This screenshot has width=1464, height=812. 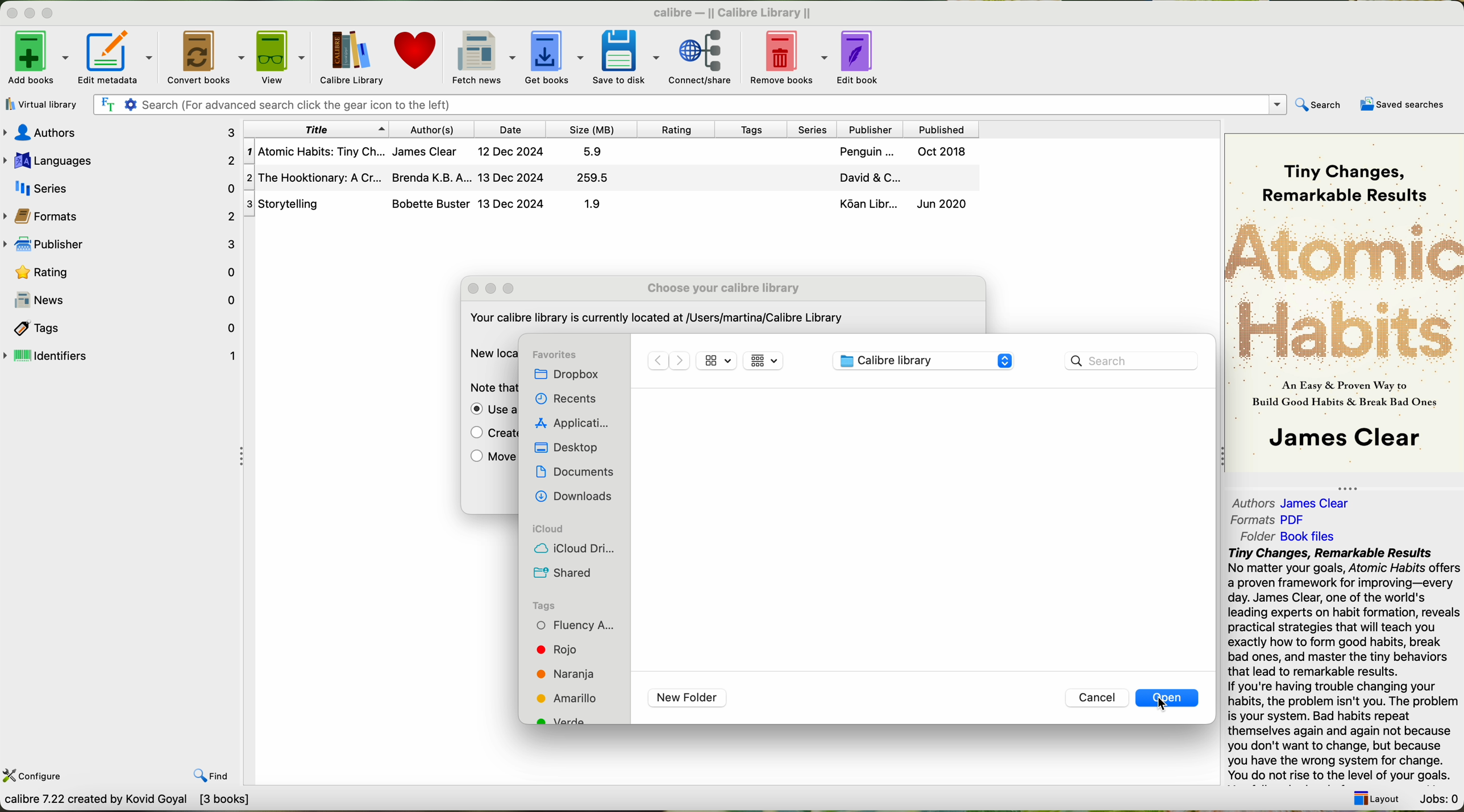 I want to click on Use a previously existing library at the chosen new location, so click(x=505, y=410).